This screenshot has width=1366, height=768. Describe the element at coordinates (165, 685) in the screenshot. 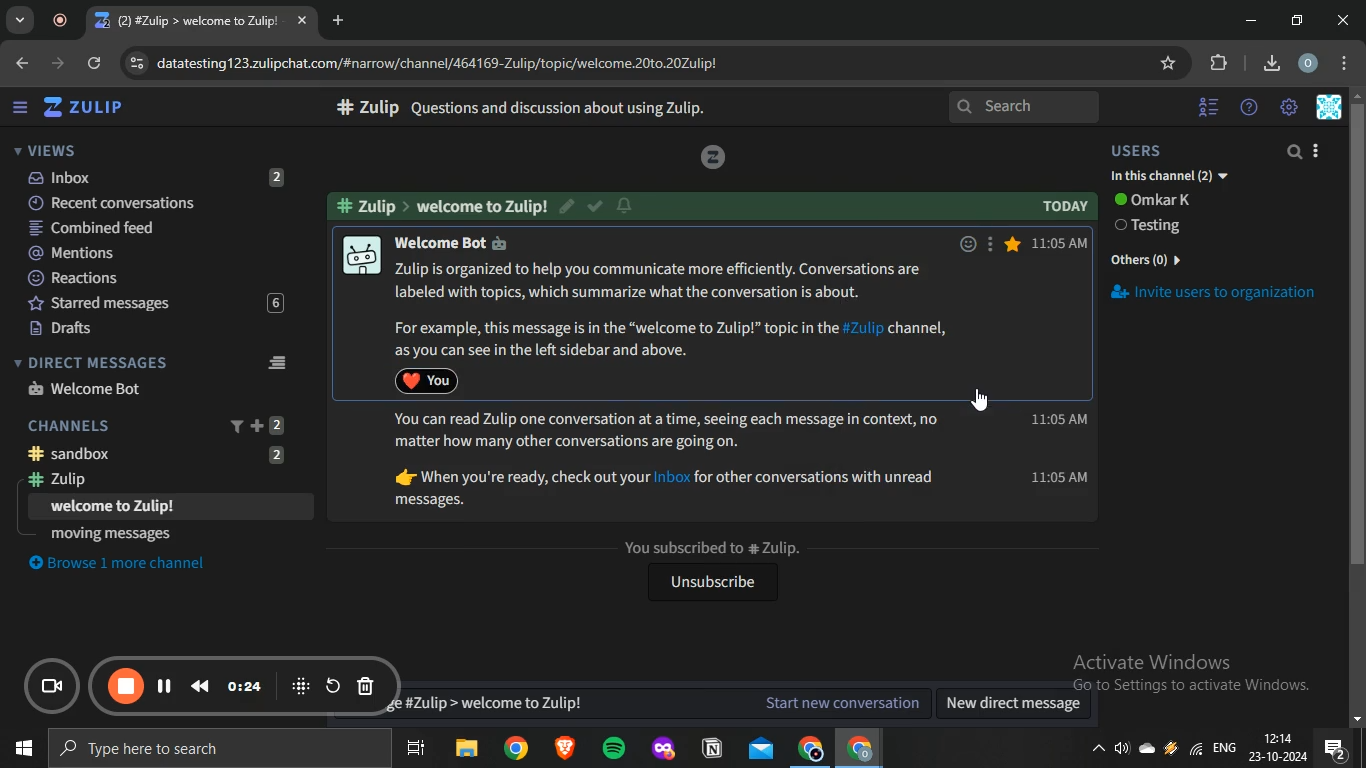

I see `play recording` at that location.